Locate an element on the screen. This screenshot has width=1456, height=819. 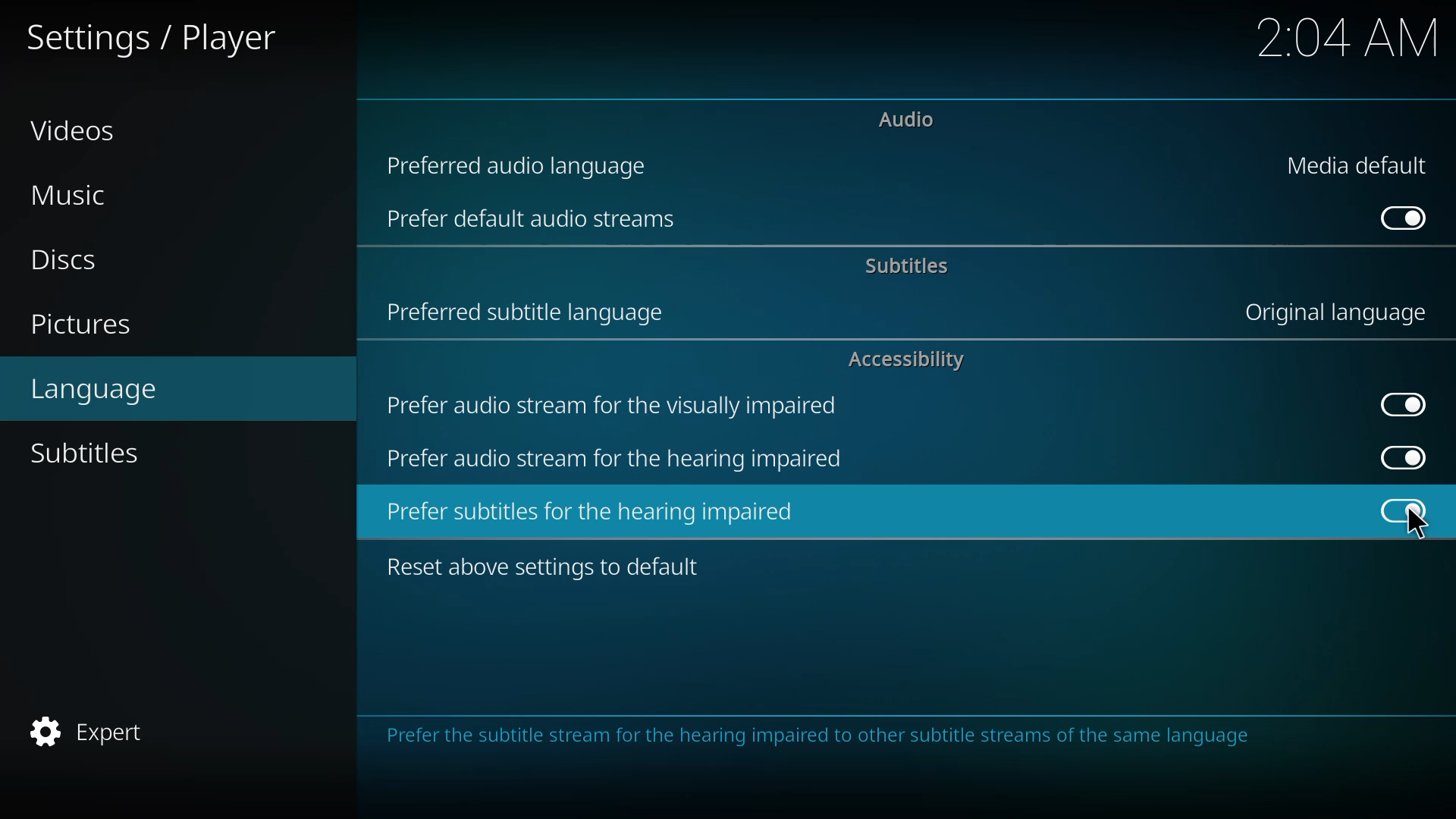
accessibility is located at coordinates (903, 360).